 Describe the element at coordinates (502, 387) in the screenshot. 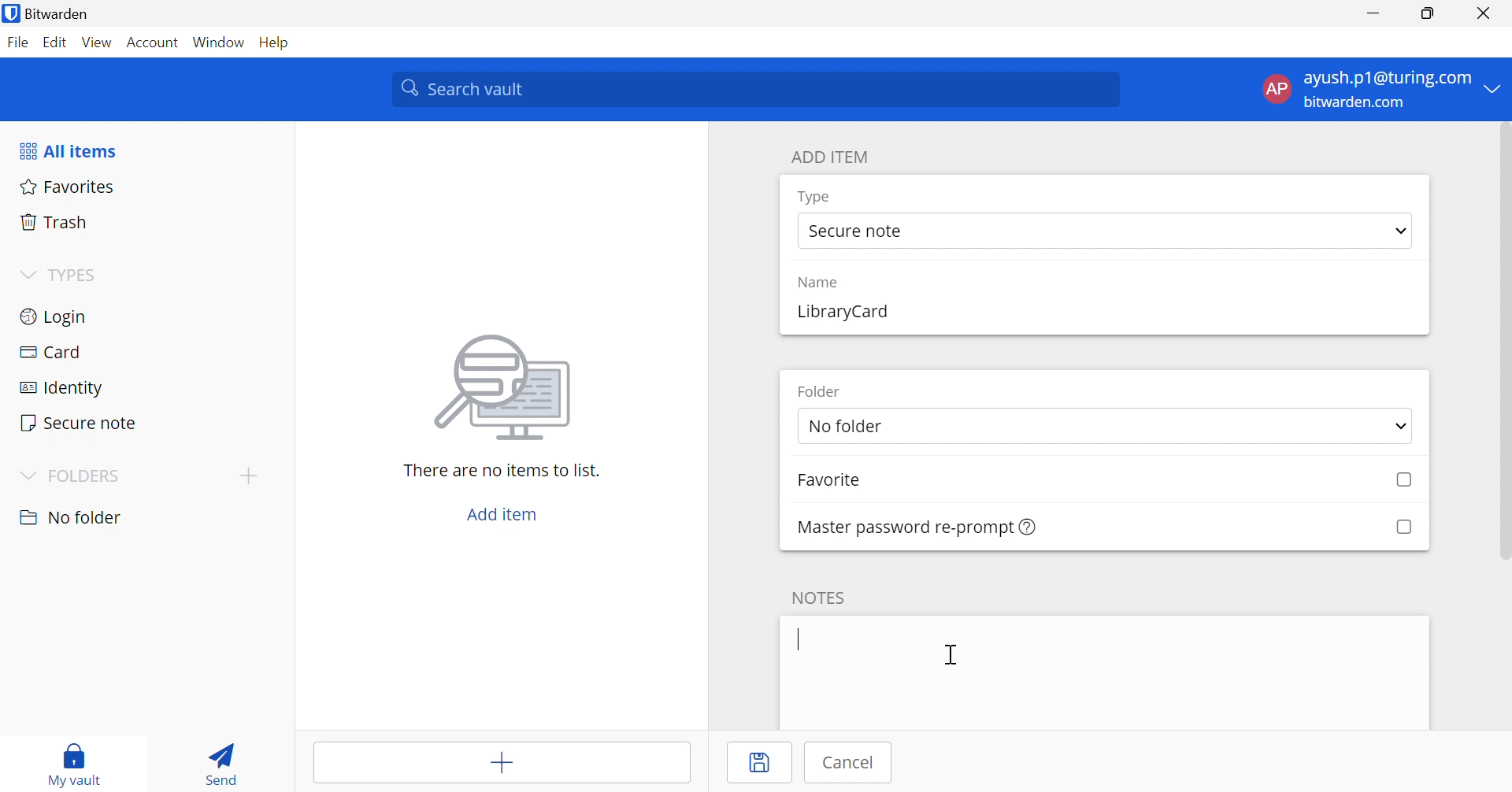

I see `image` at that location.